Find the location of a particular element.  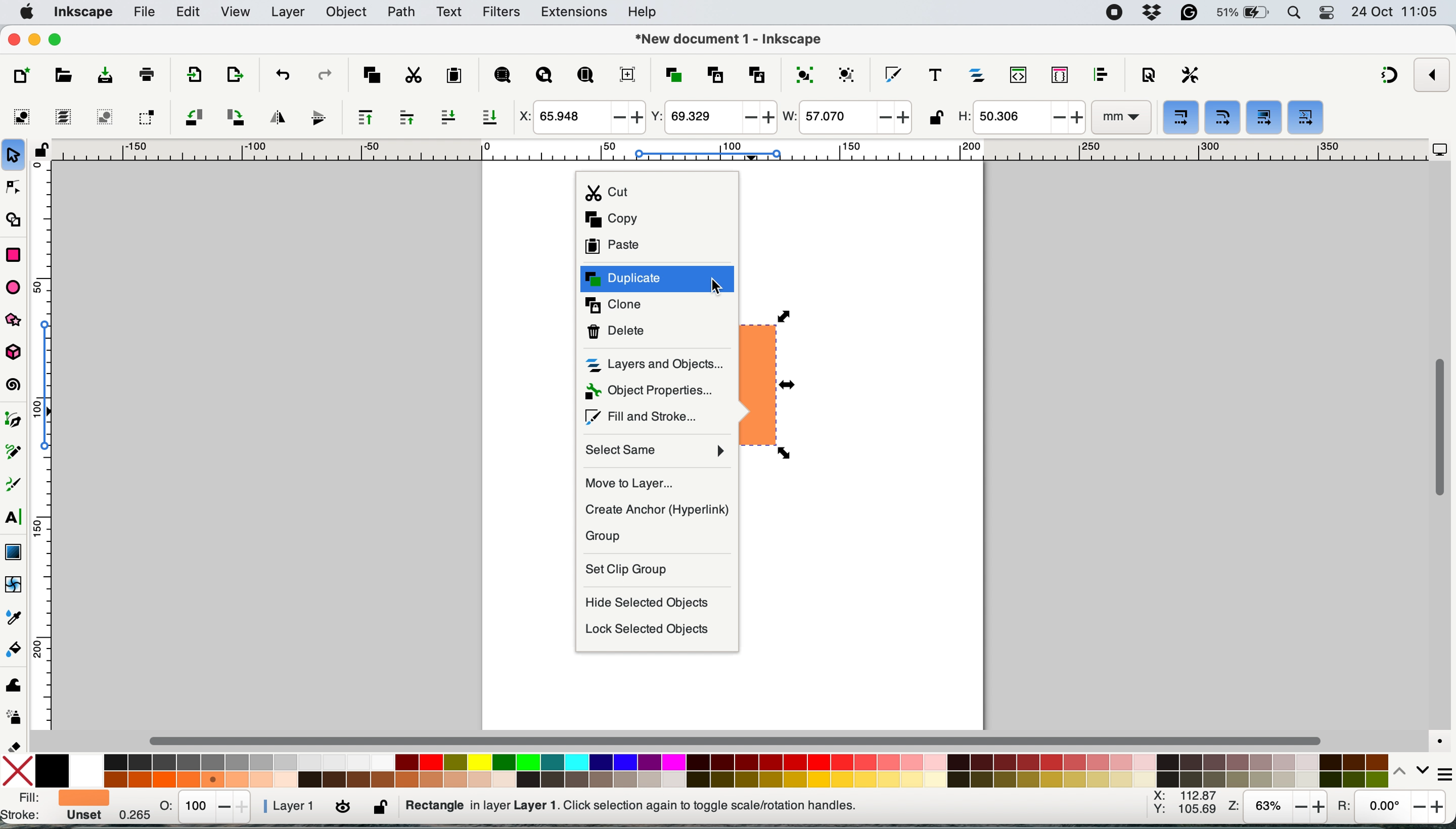

object rotate 90 ccw is located at coordinates (192, 118).